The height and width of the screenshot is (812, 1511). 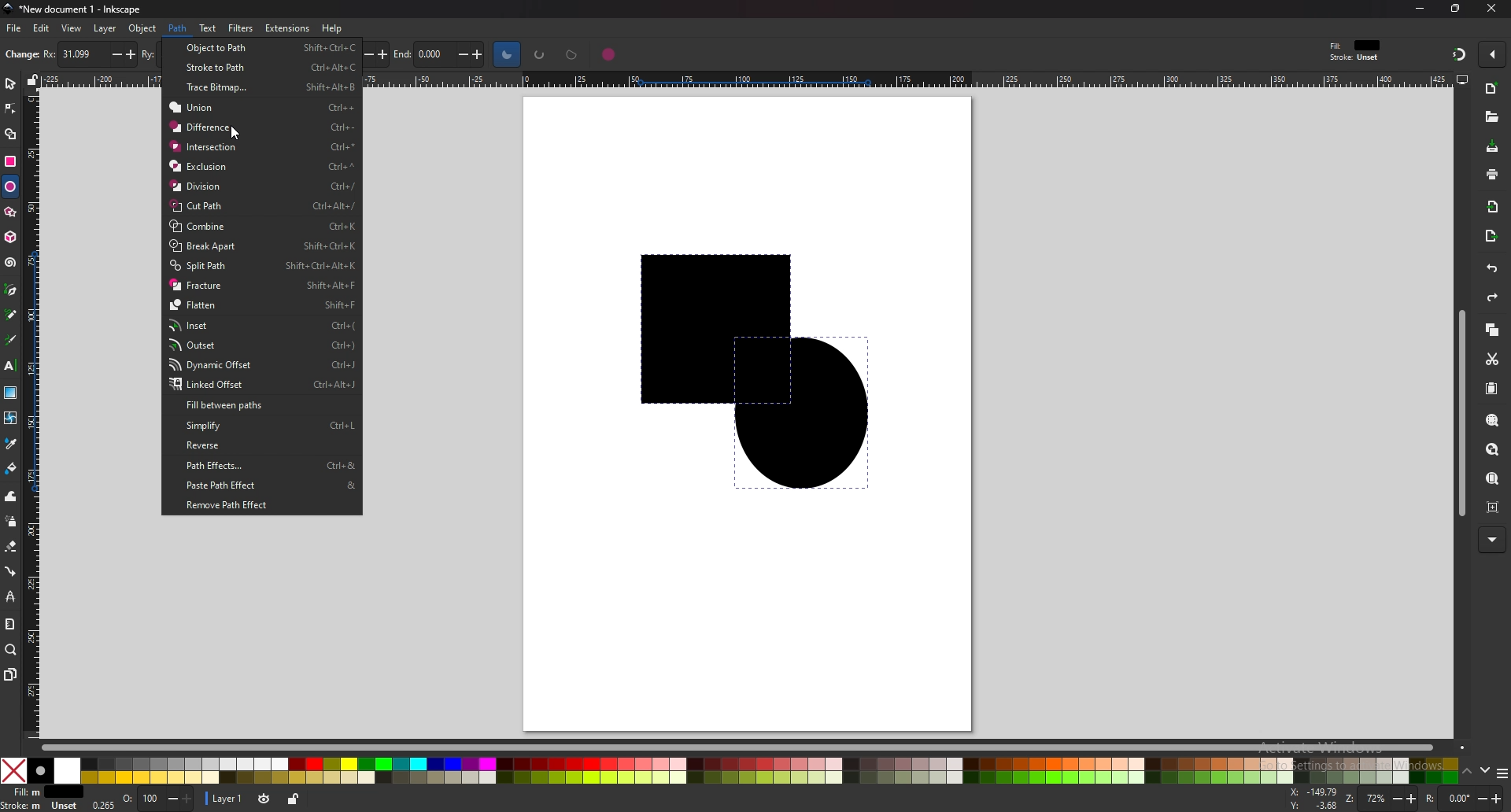 What do you see at coordinates (1492, 330) in the screenshot?
I see `copy` at bounding box center [1492, 330].